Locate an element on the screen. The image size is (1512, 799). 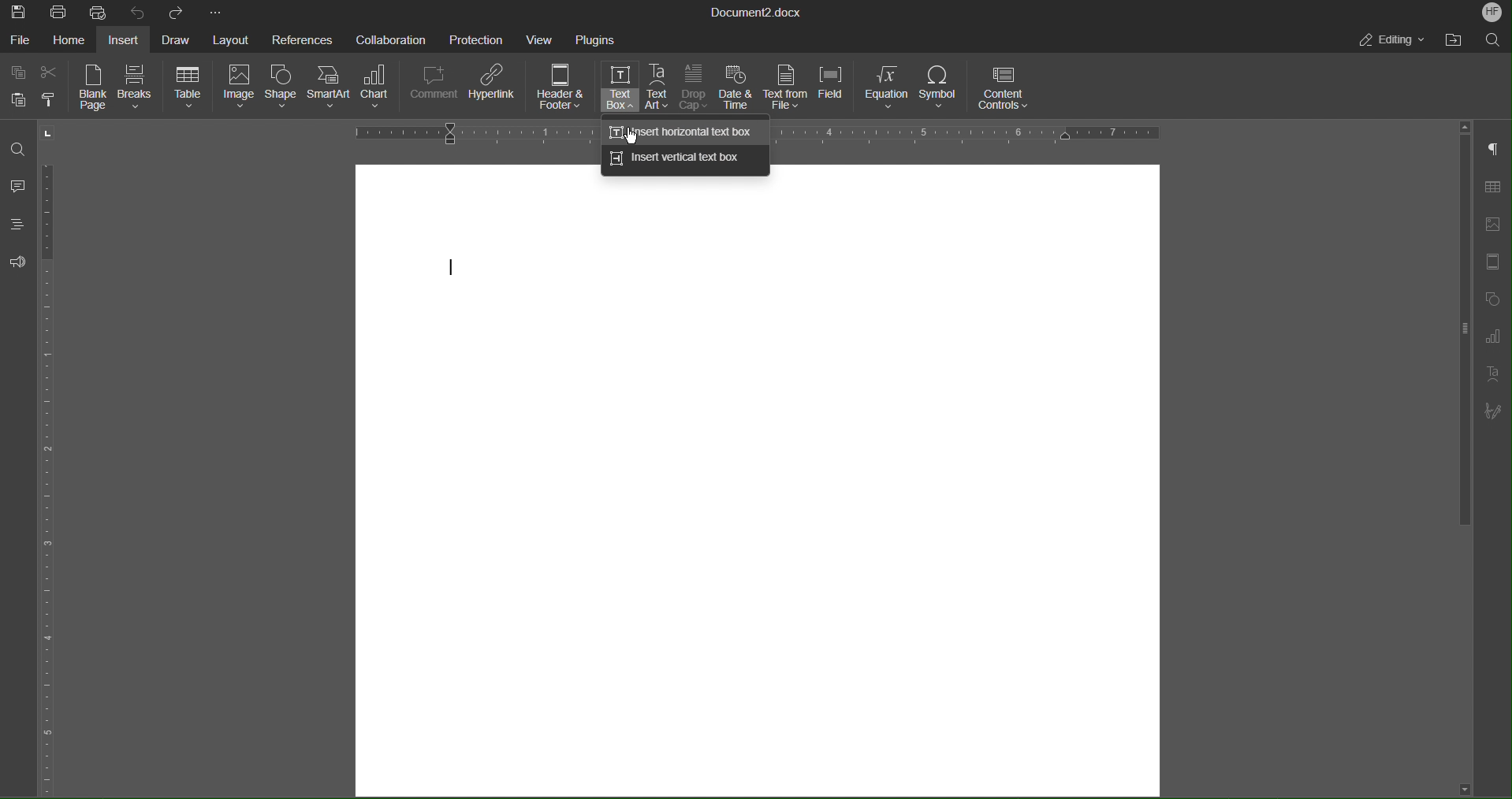
Comments is located at coordinates (19, 186).